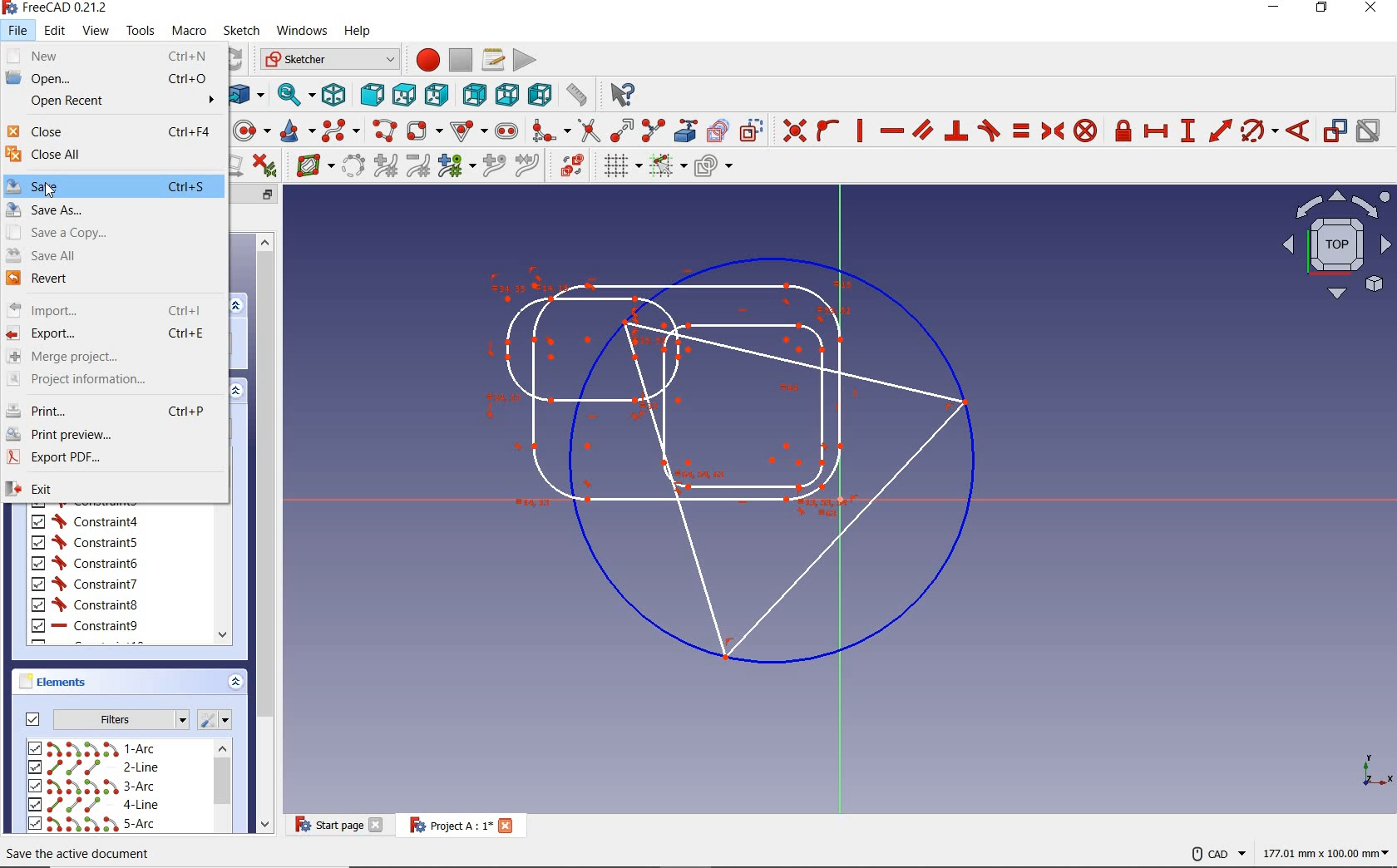 The height and width of the screenshot is (868, 1397). What do you see at coordinates (473, 93) in the screenshot?
I see `rear` at bounding box center [473, 93].